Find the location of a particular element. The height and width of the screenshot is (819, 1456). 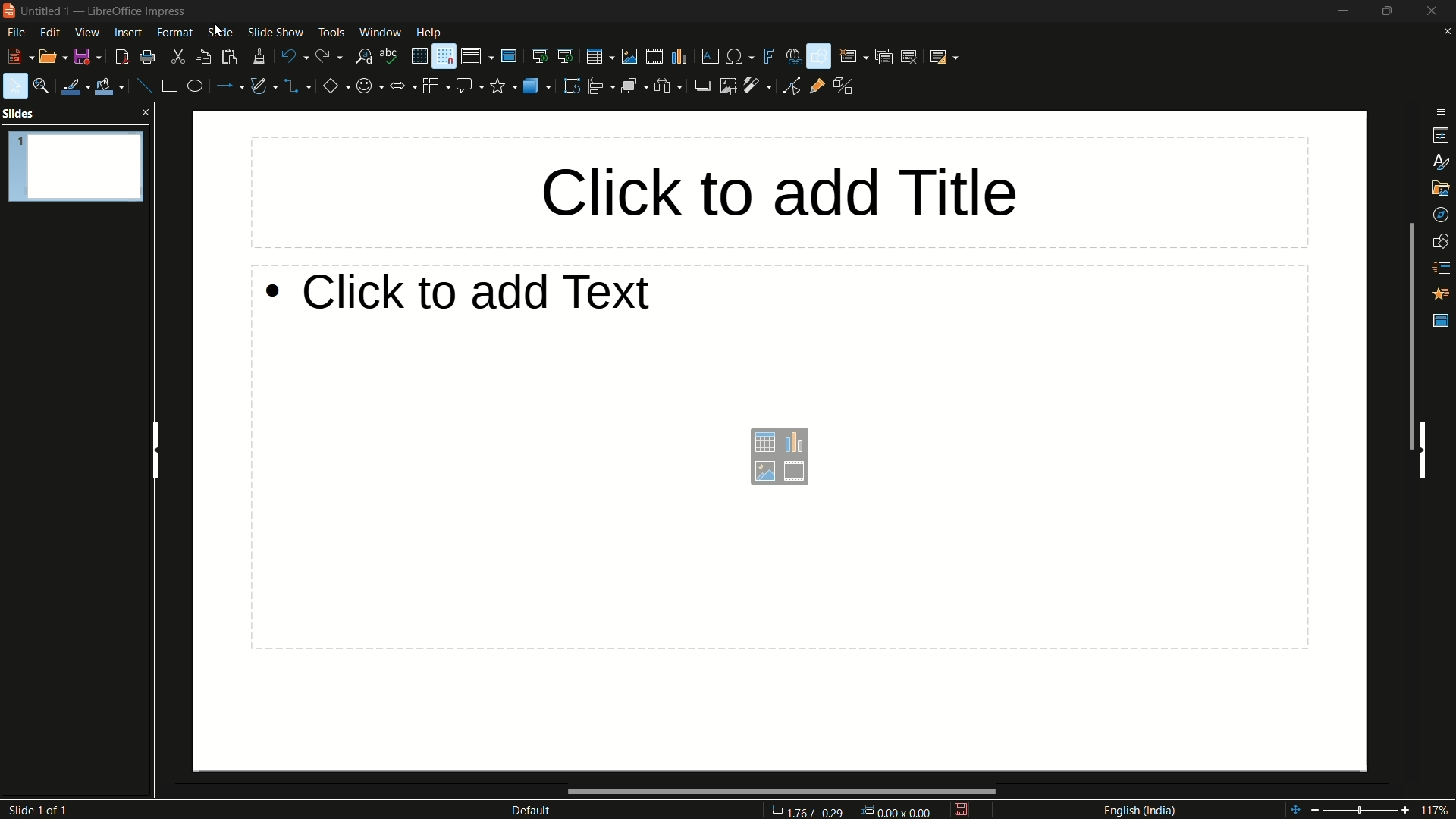

filter is located at coordinates (758, 86).